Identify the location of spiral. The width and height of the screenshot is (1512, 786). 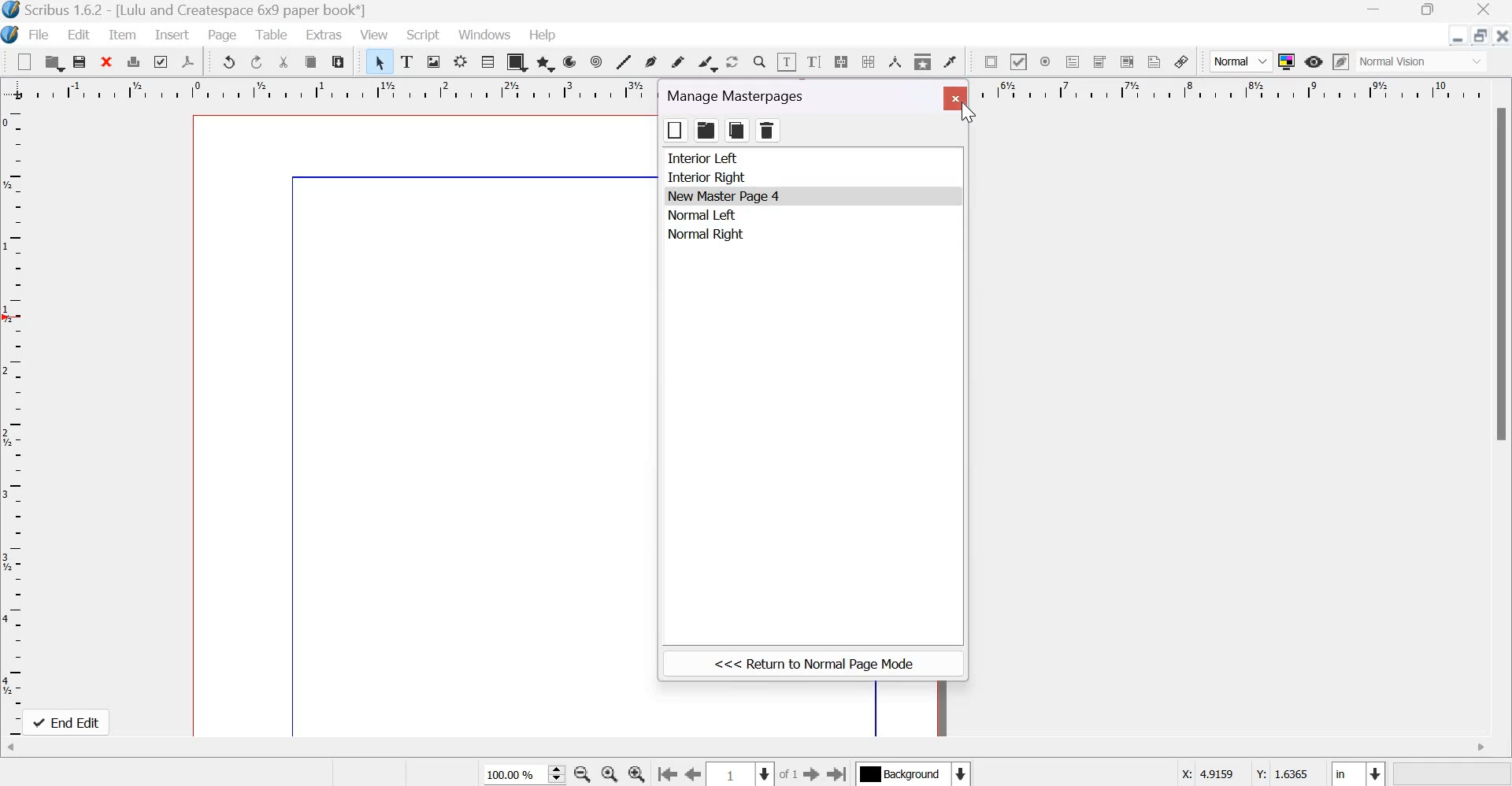
(597, 61).